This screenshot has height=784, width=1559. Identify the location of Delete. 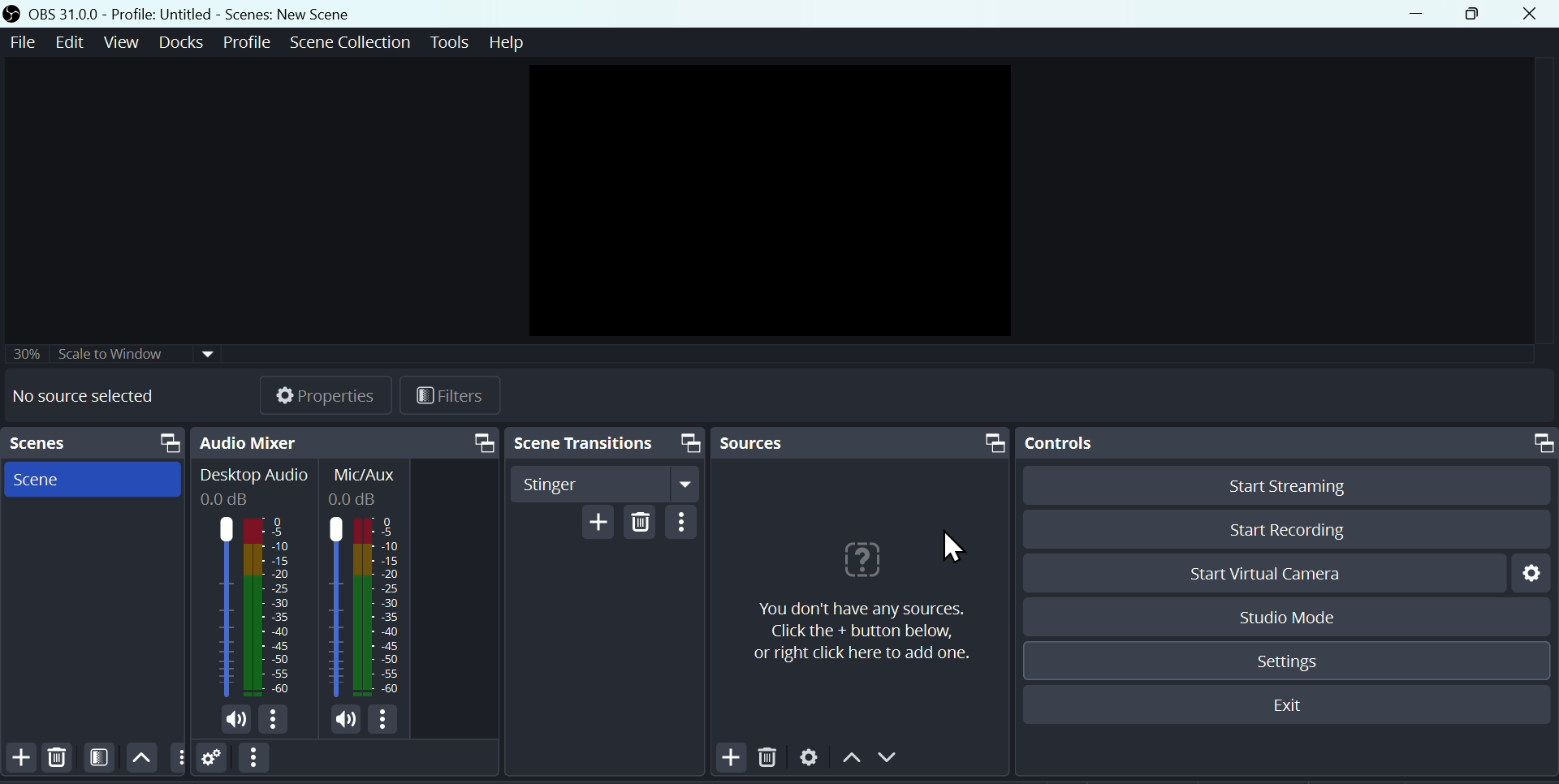
(641, 523).